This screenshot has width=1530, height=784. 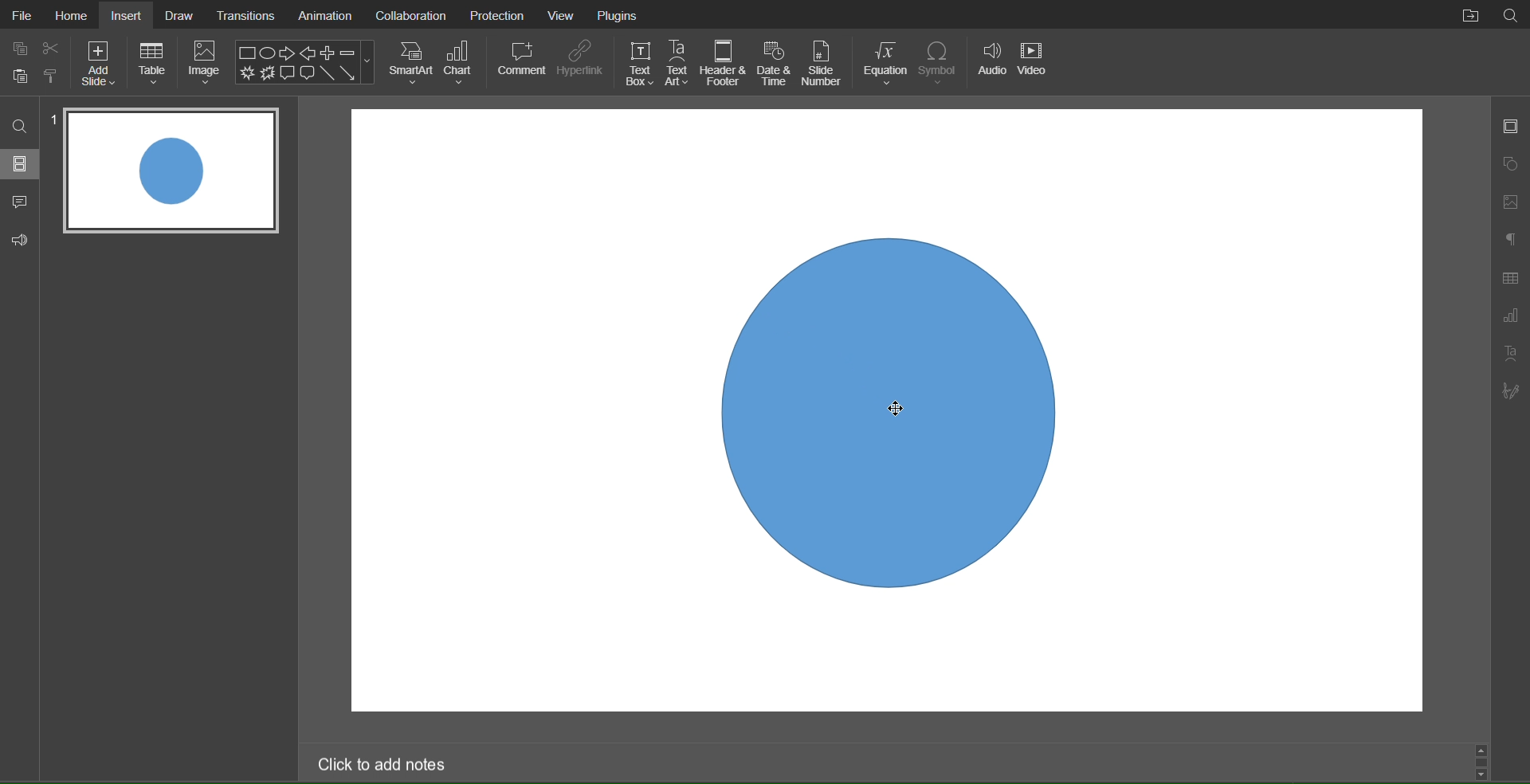 What do you see at coordinates (48, 46) in the screenshot?
I see `cut` at bounding box center [48, 46].